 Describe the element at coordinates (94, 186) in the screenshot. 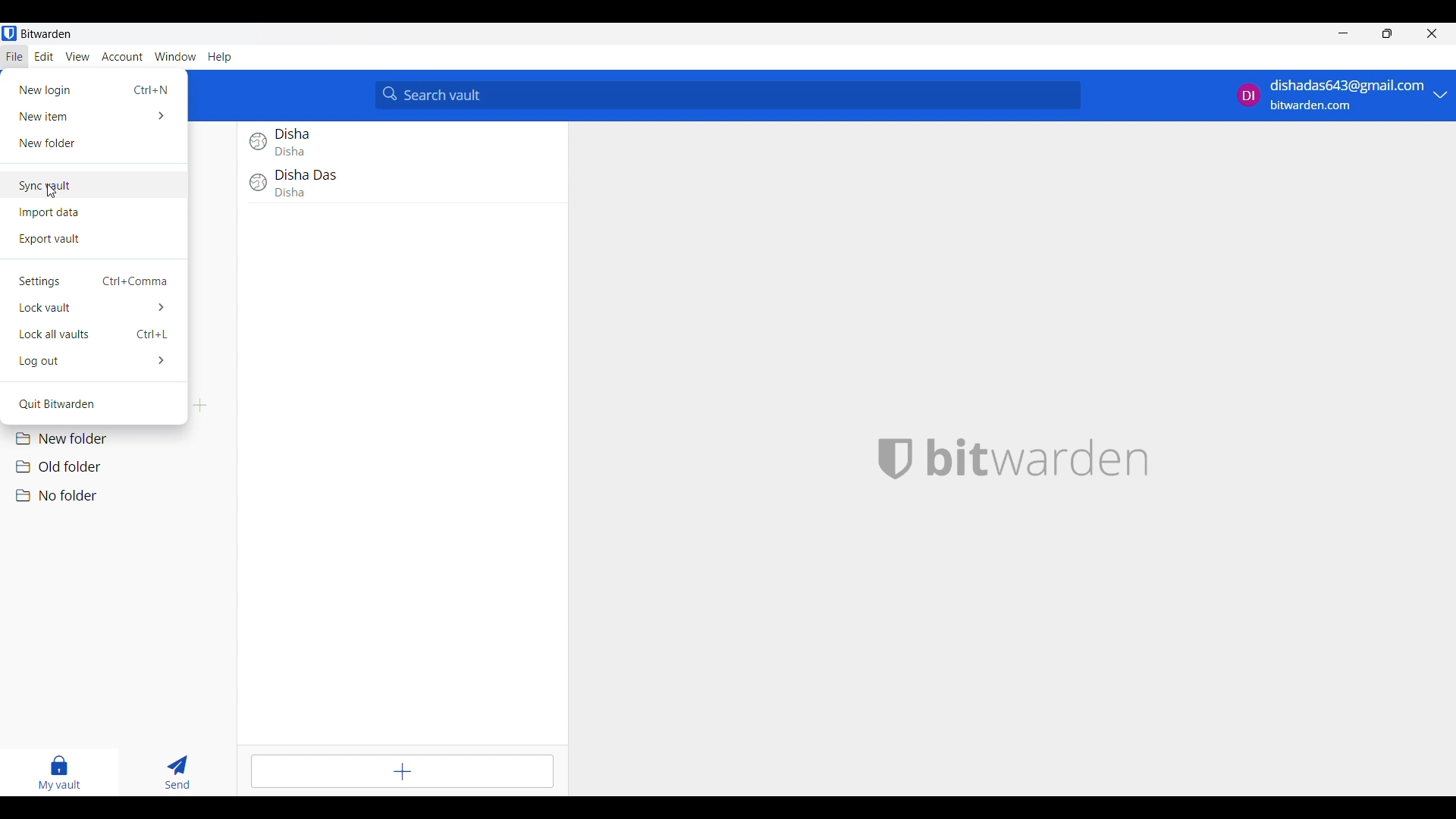

I see `Sync vault` at that location.